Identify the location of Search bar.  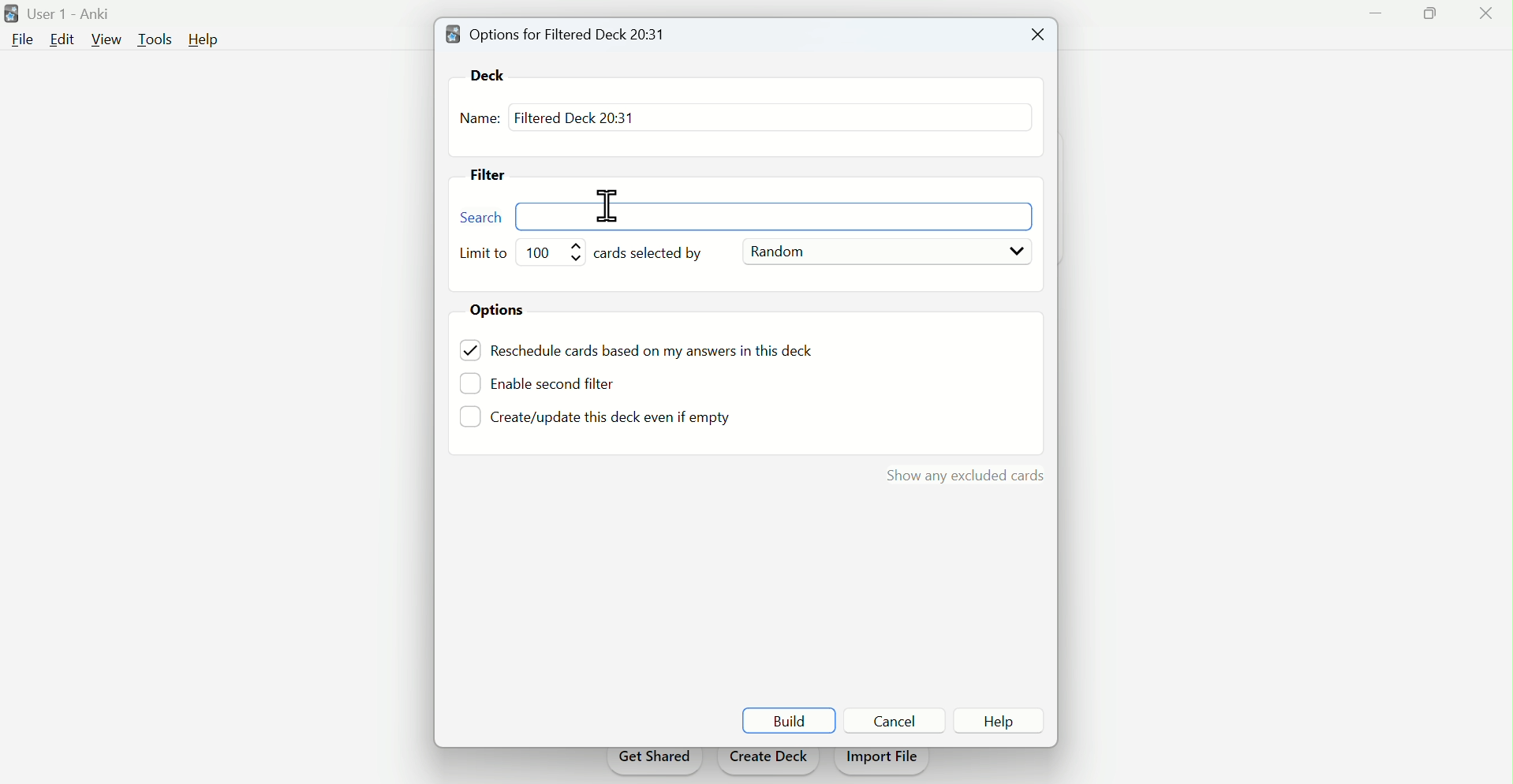
(749, 218).